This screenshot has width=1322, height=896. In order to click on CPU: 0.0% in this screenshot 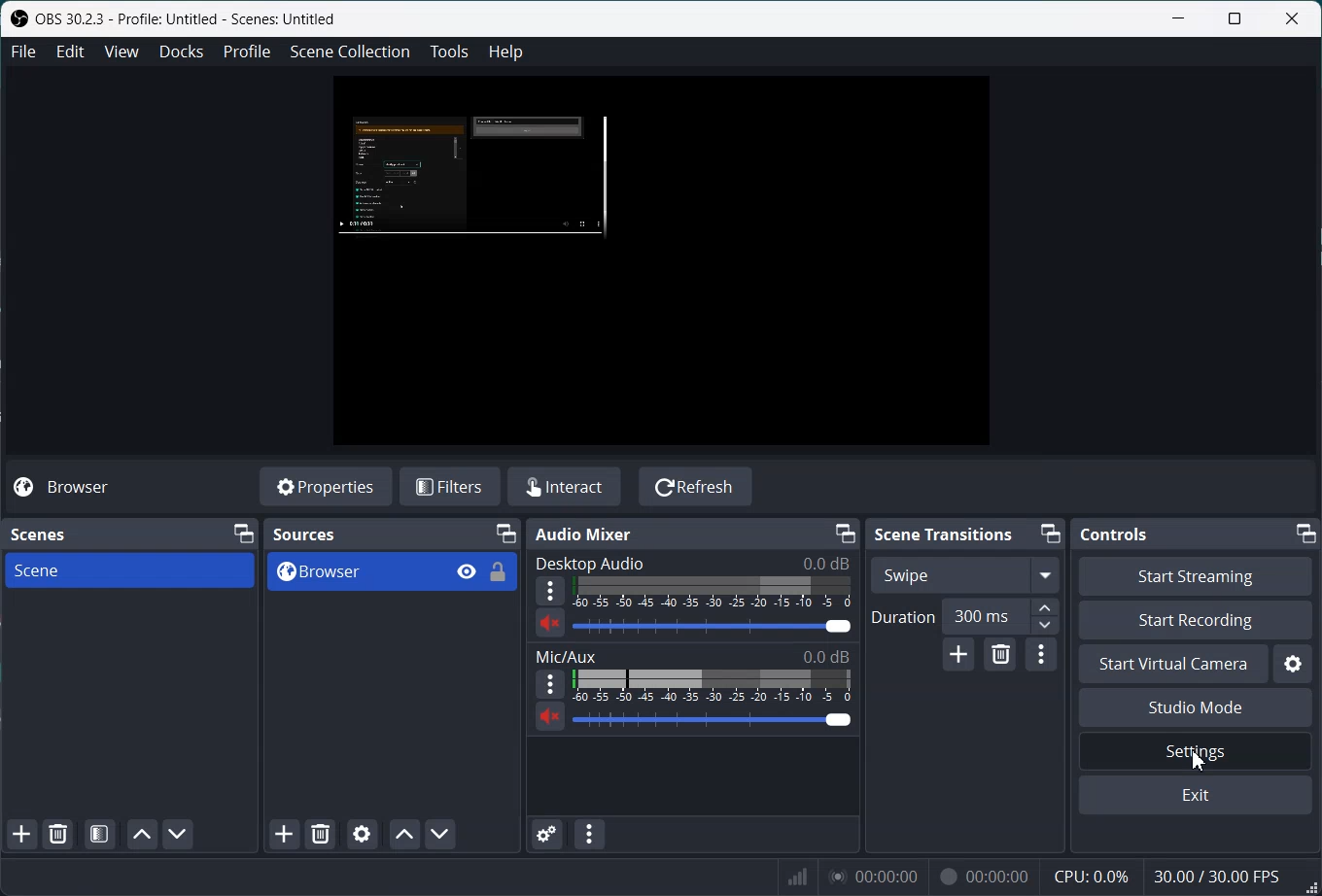, I will do `click(1094, 877)`.